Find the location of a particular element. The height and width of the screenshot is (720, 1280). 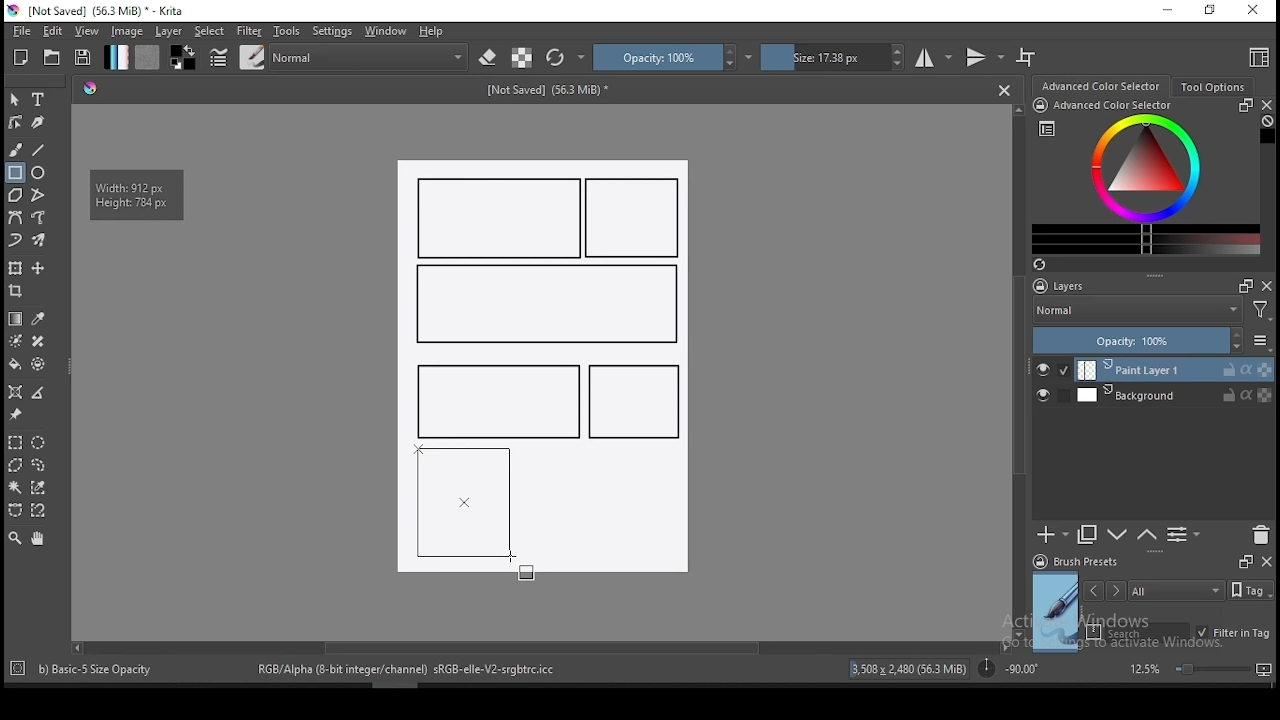

move layer one step down is located at coordinates (1147, 535).